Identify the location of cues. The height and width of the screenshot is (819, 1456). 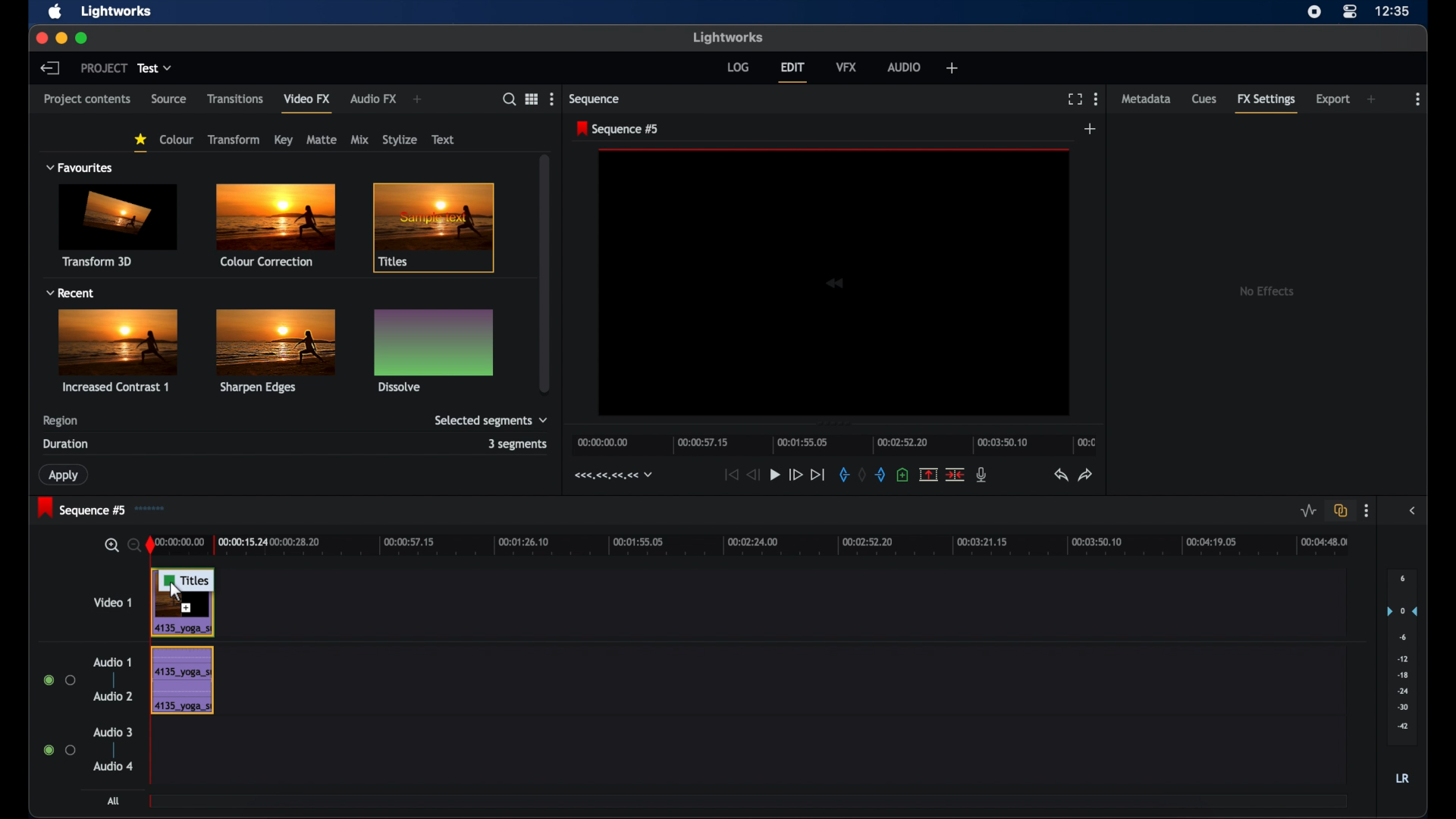
(1205, 99).